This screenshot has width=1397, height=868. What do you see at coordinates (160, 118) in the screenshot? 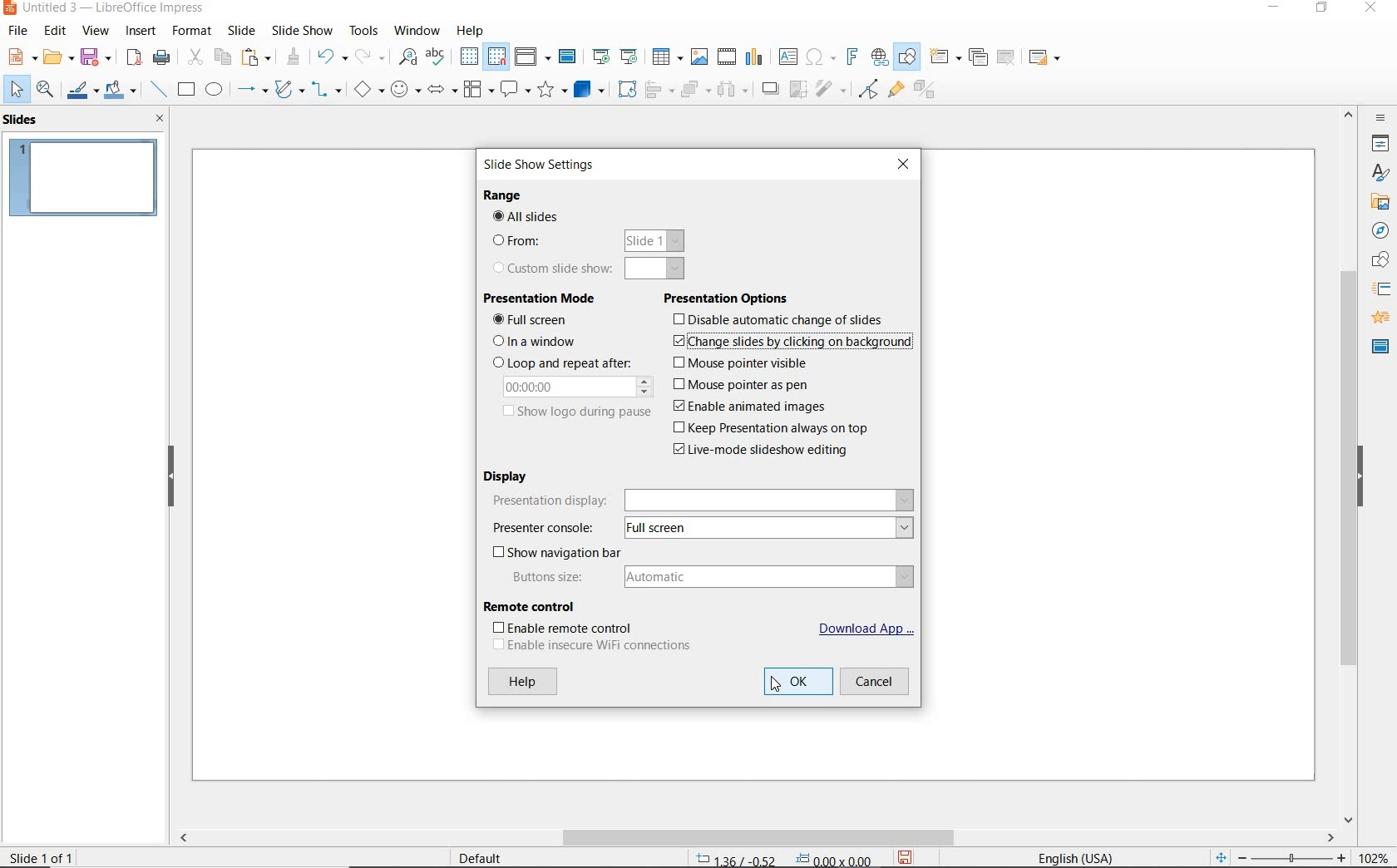
I see `CLOSE` at bounding box center [160, 118].